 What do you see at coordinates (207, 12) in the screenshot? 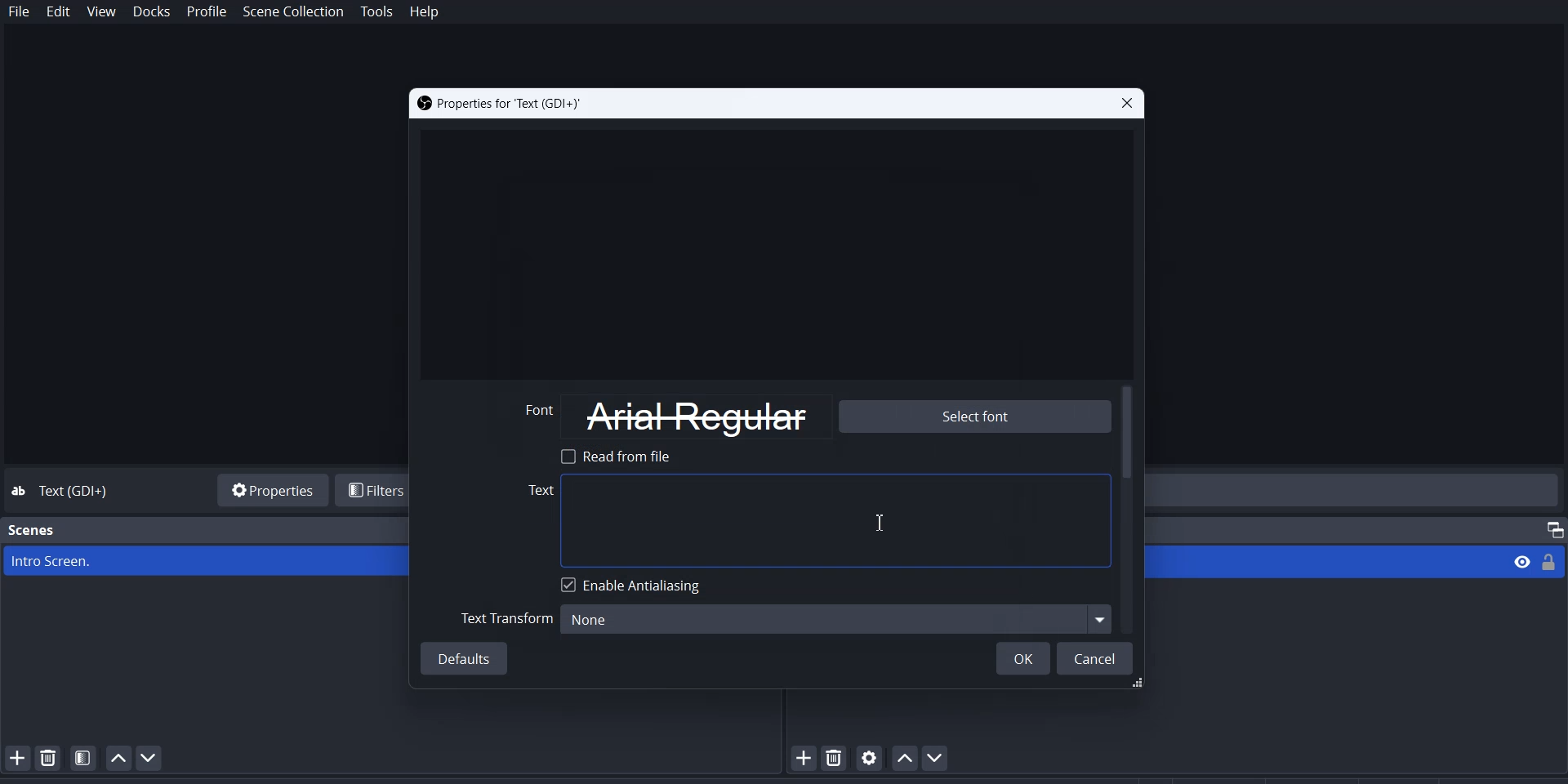
I see `Profile` at bounding box center [207, 12].